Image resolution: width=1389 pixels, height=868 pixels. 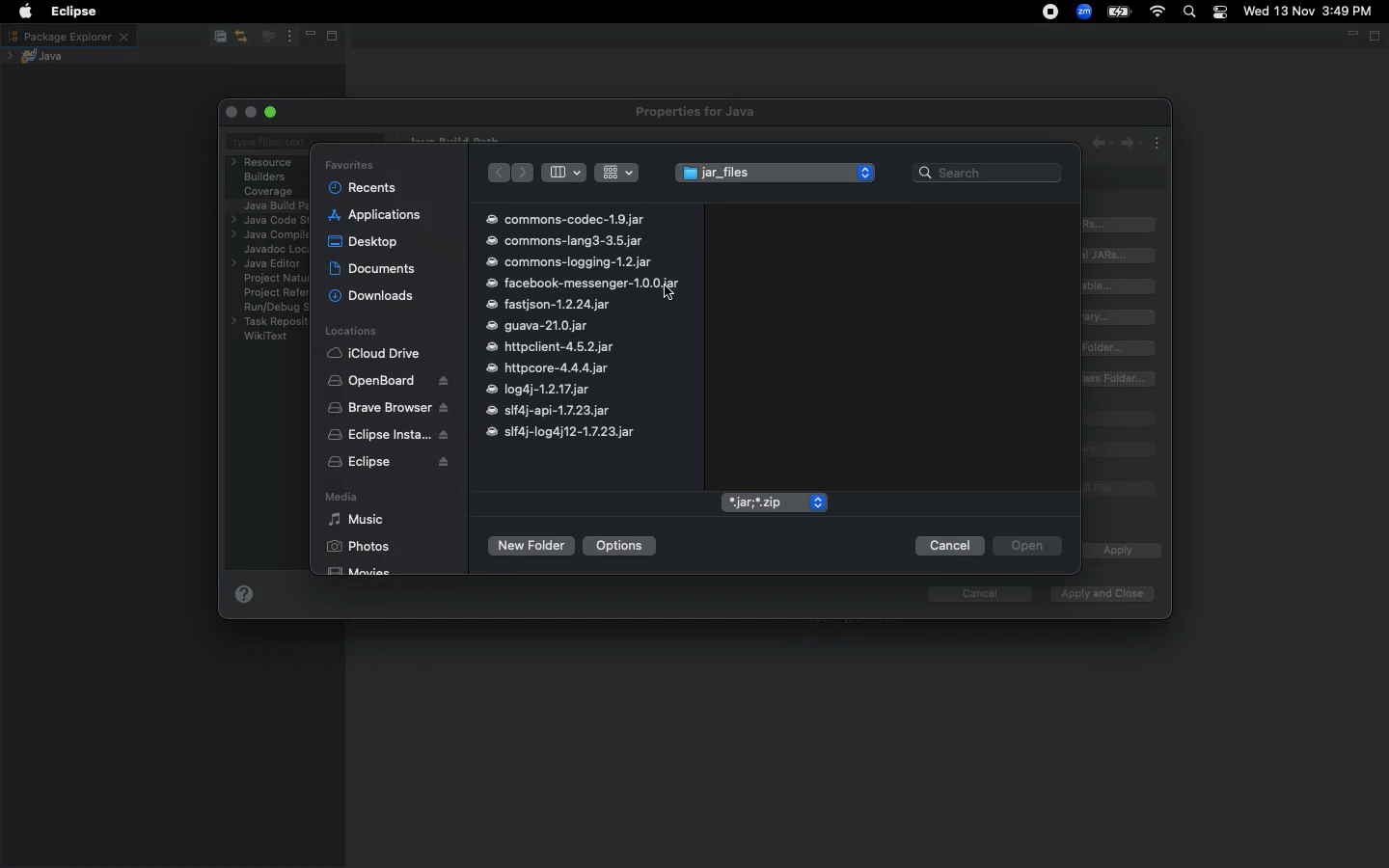 I want to click on Properties for java, so click(x=698, y=113).